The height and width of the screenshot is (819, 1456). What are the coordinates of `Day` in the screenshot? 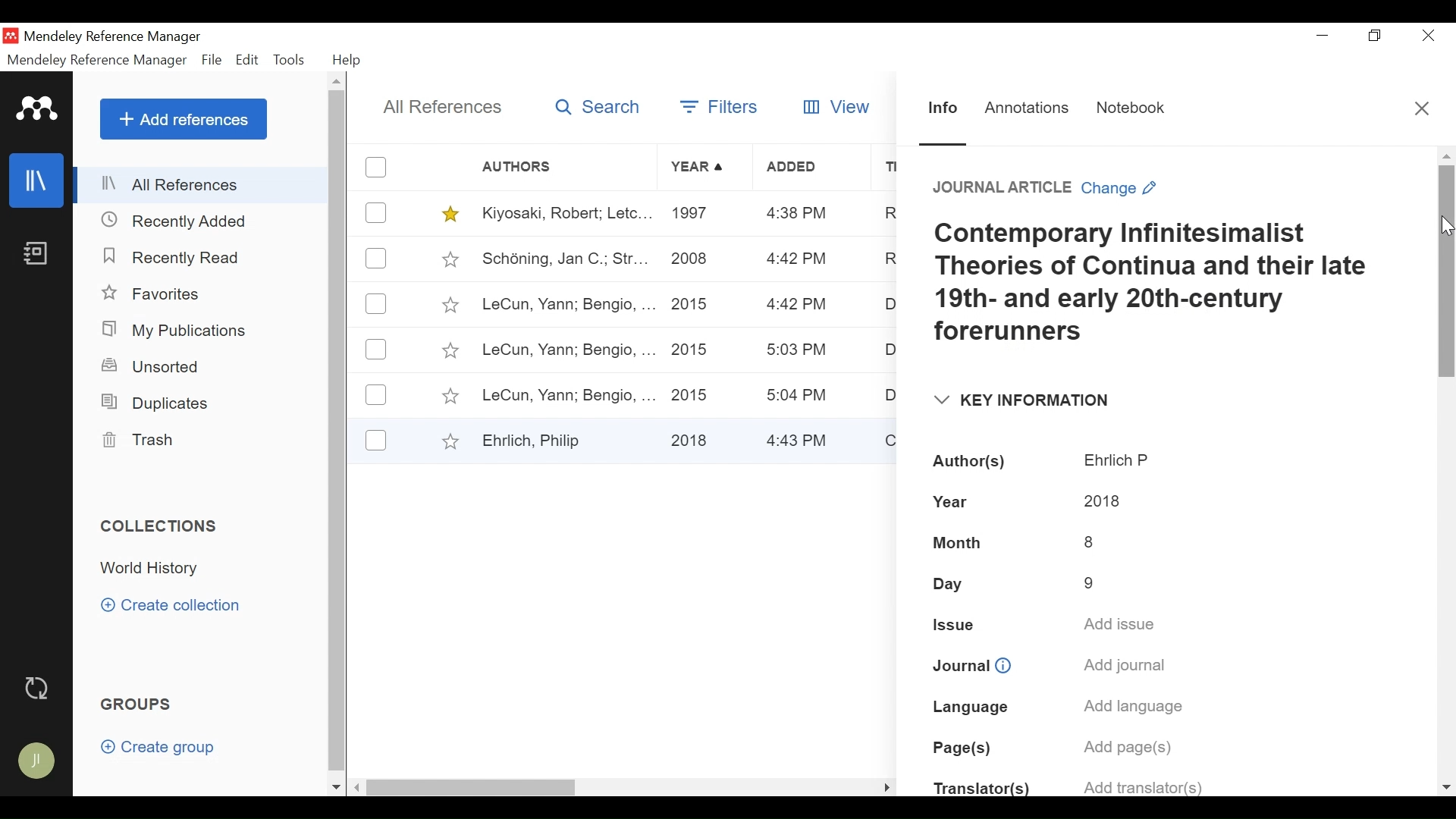 It's located at (959, 584).